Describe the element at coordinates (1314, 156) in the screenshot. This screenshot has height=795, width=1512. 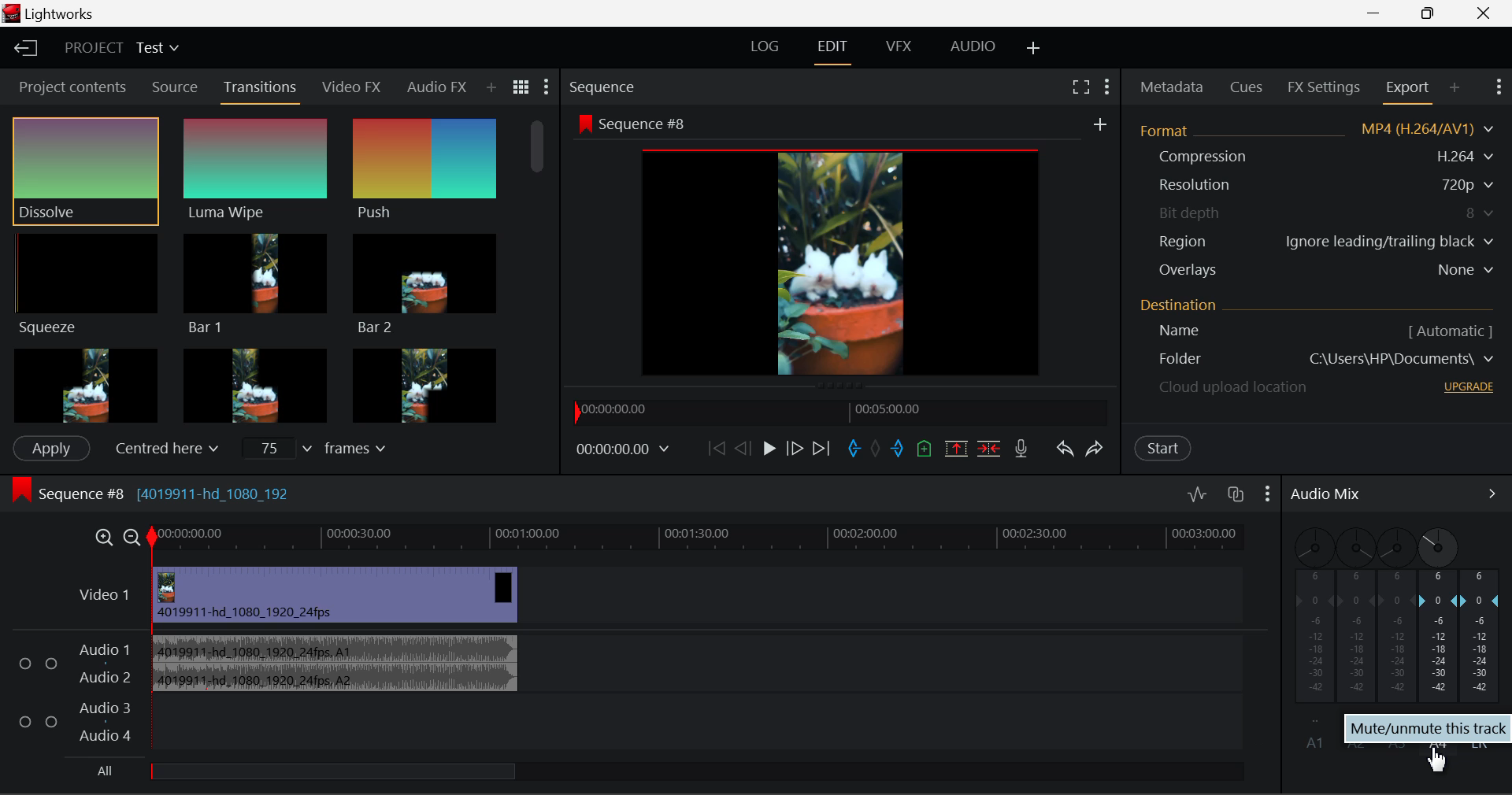
I see `Compression` at that location.